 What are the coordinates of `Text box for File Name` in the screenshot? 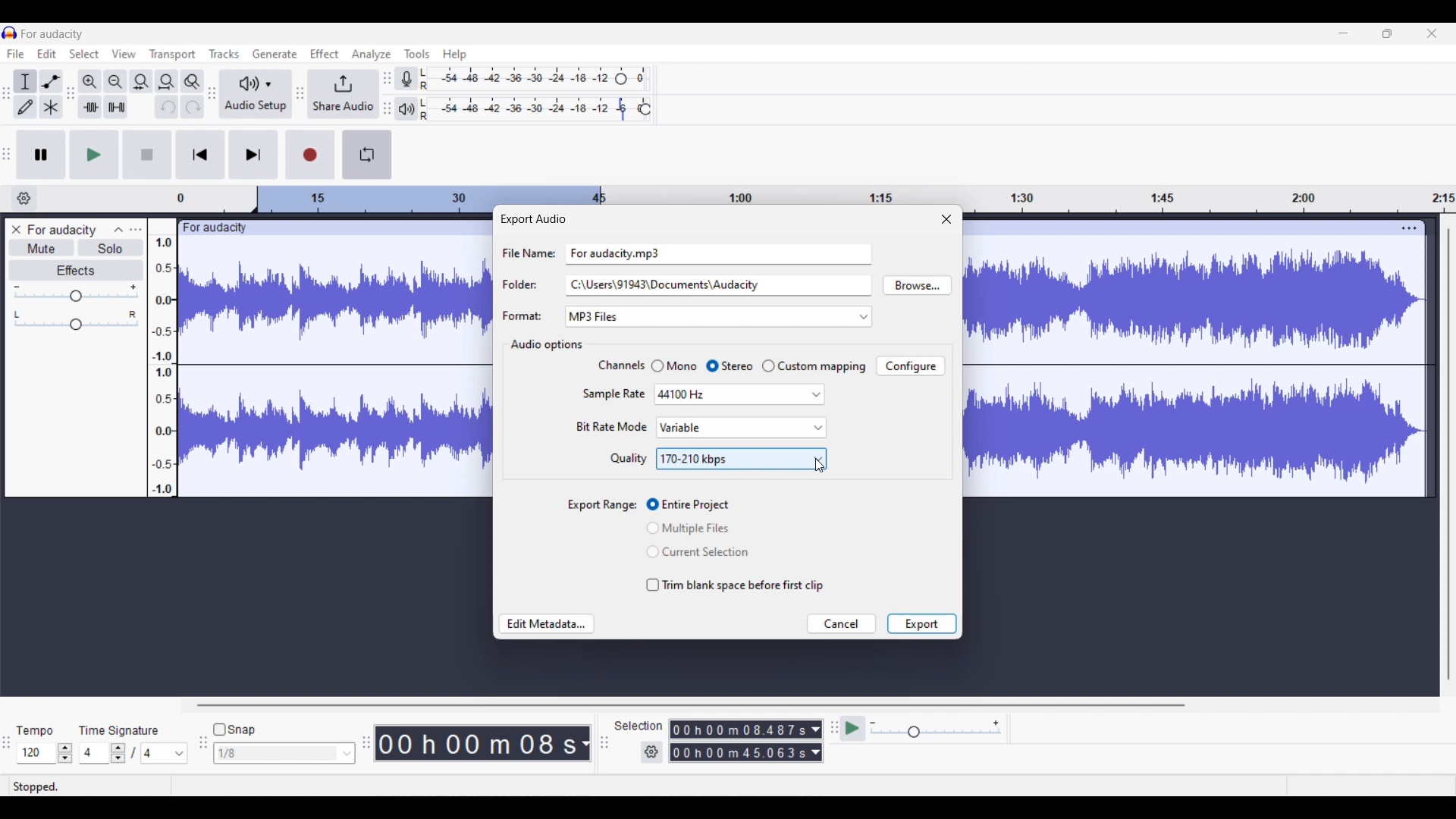 It's located at (719, 253).